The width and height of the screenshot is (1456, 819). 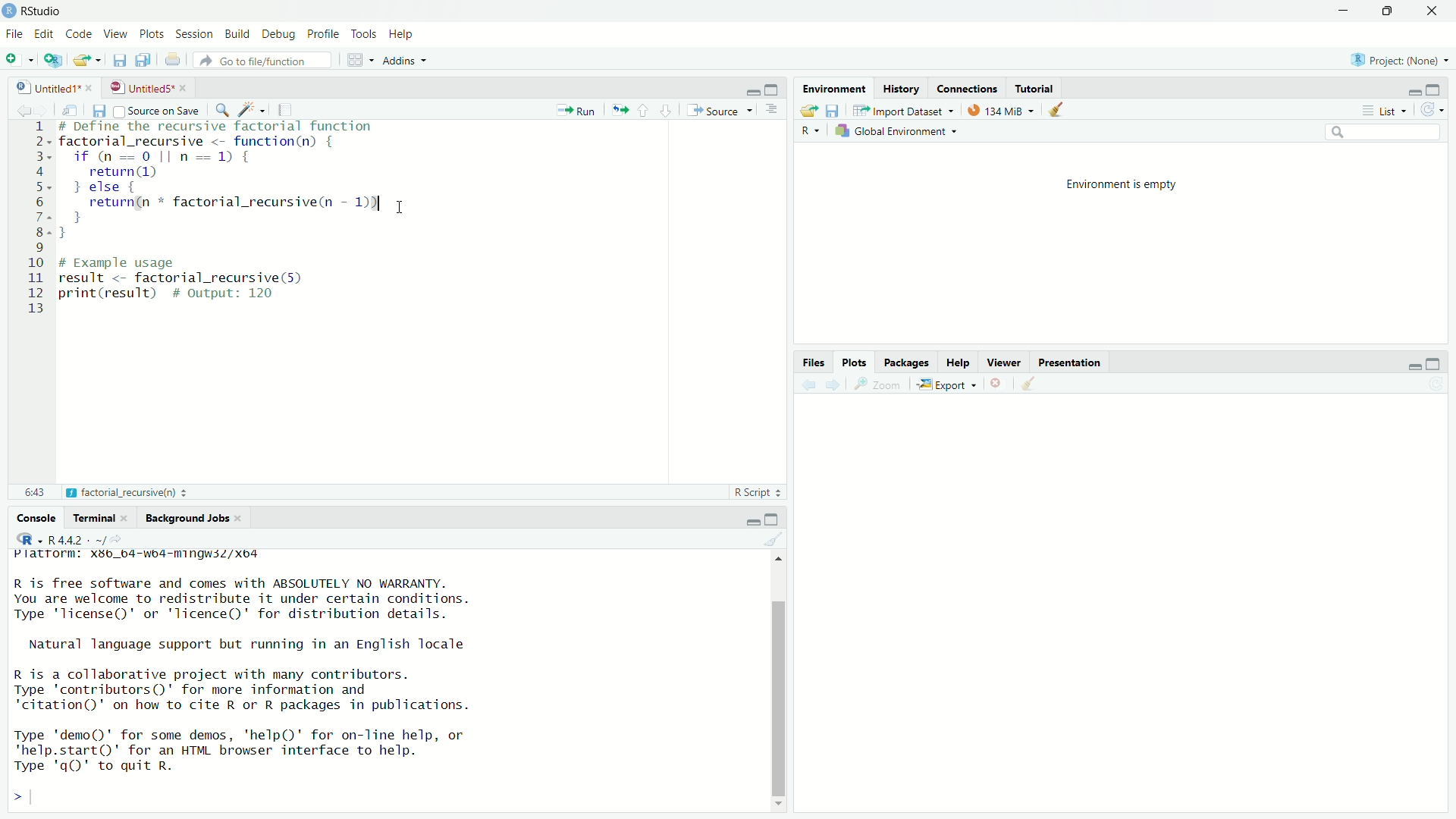 I want to click on Go back to the previous source location (Ctrl + F9), so click(x=22, y=108).